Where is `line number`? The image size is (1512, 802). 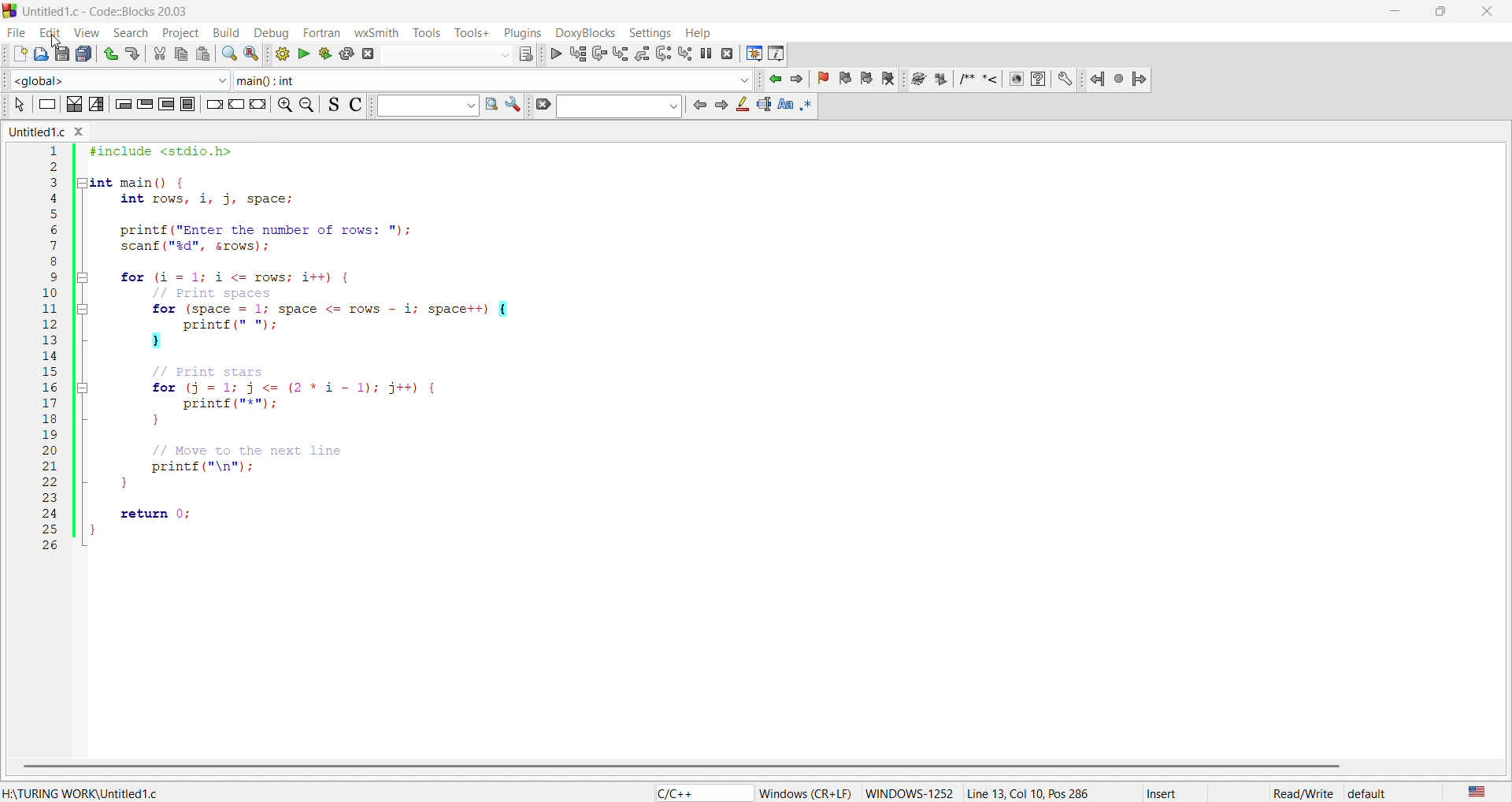 line number is located at coordinates (50, 350).